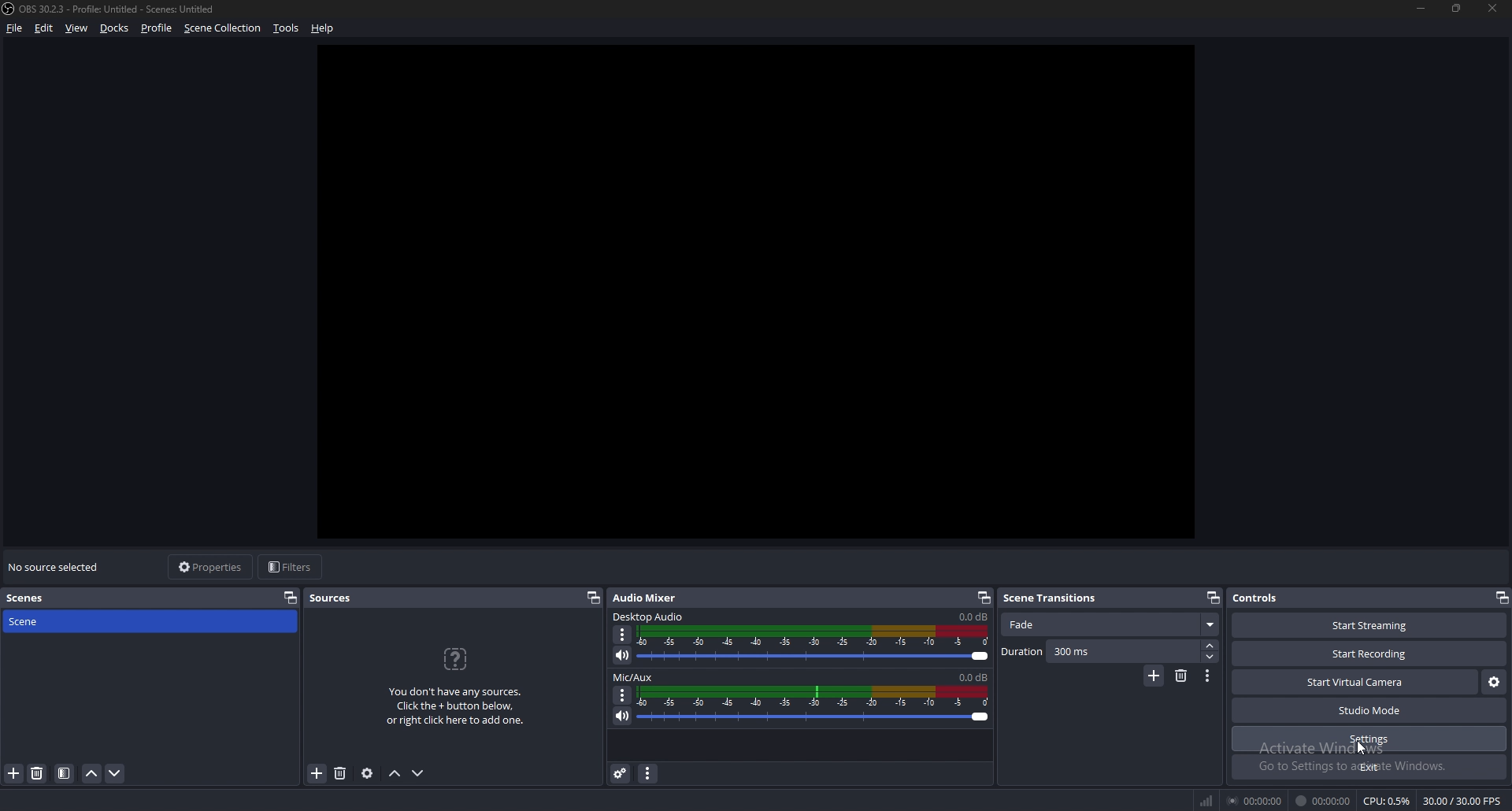 Image resolution: width=1512 pixels, height=811 pixels. Describe the element at coordinates (29, 624) in the screenshot. I see `scene` at that location.